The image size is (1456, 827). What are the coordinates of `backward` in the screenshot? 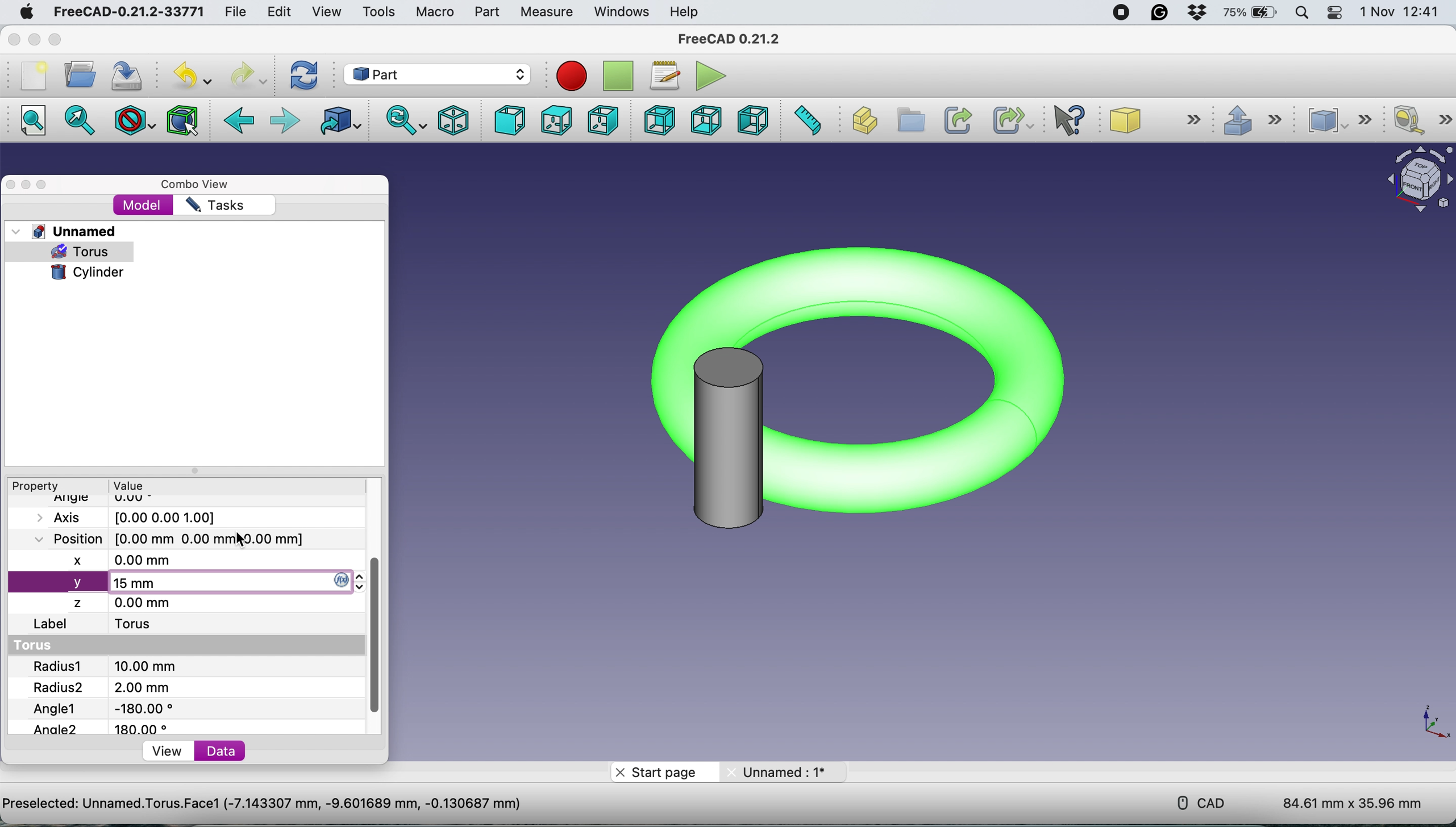 It's located at (242, 122).